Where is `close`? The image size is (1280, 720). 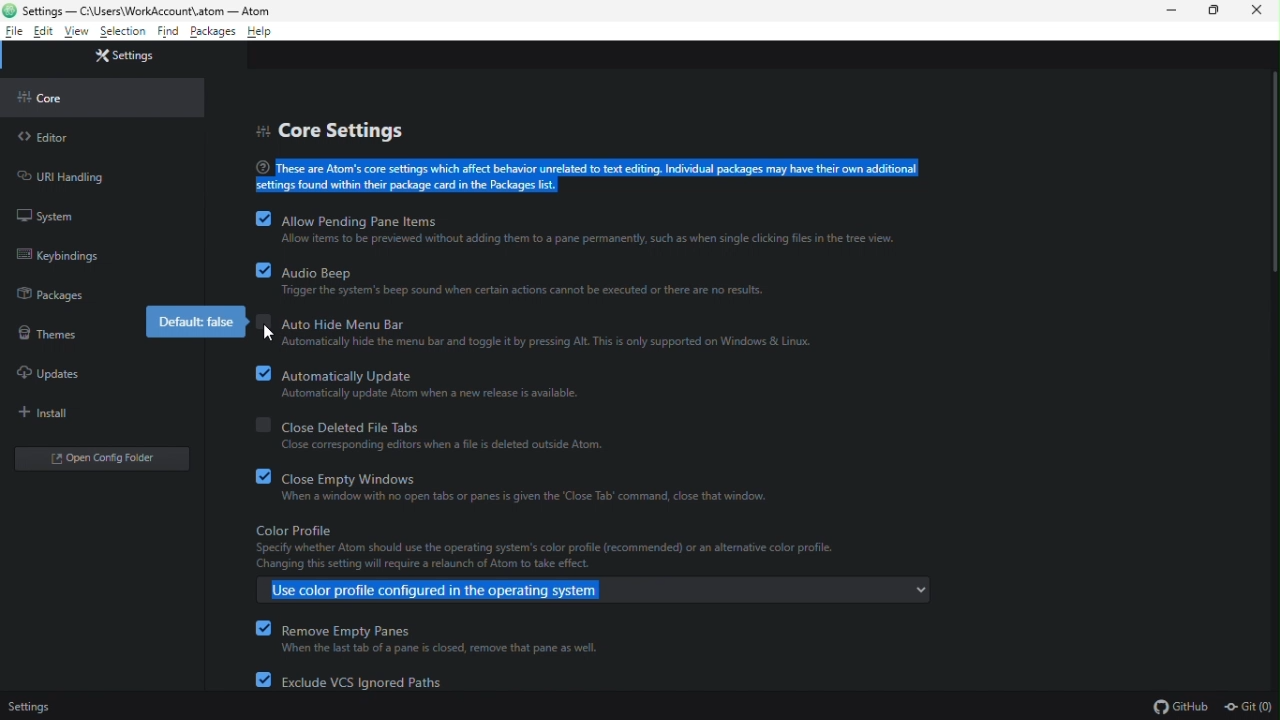
close is located at coordinates (1254, 11).